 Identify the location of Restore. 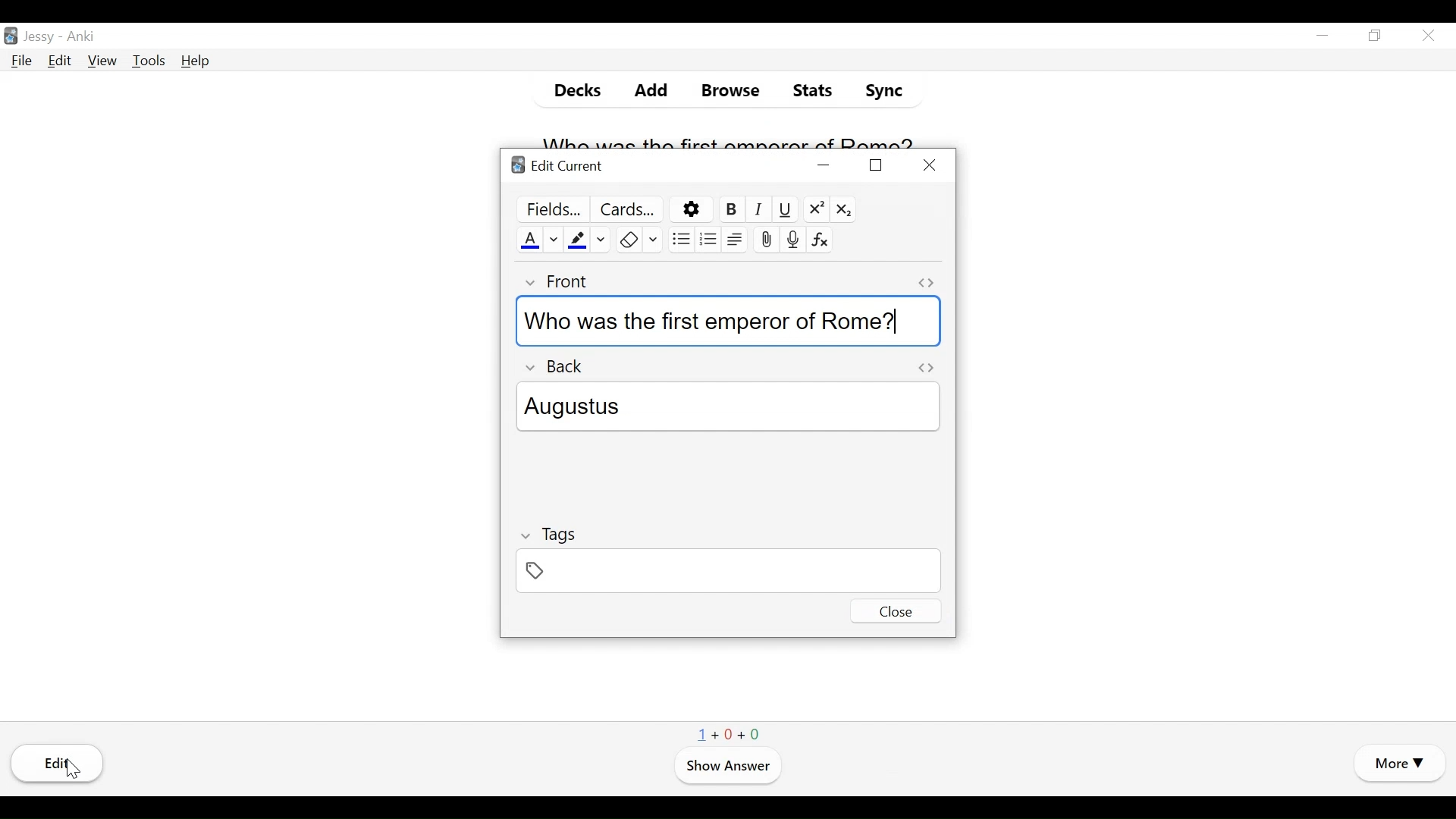
(874, 165).